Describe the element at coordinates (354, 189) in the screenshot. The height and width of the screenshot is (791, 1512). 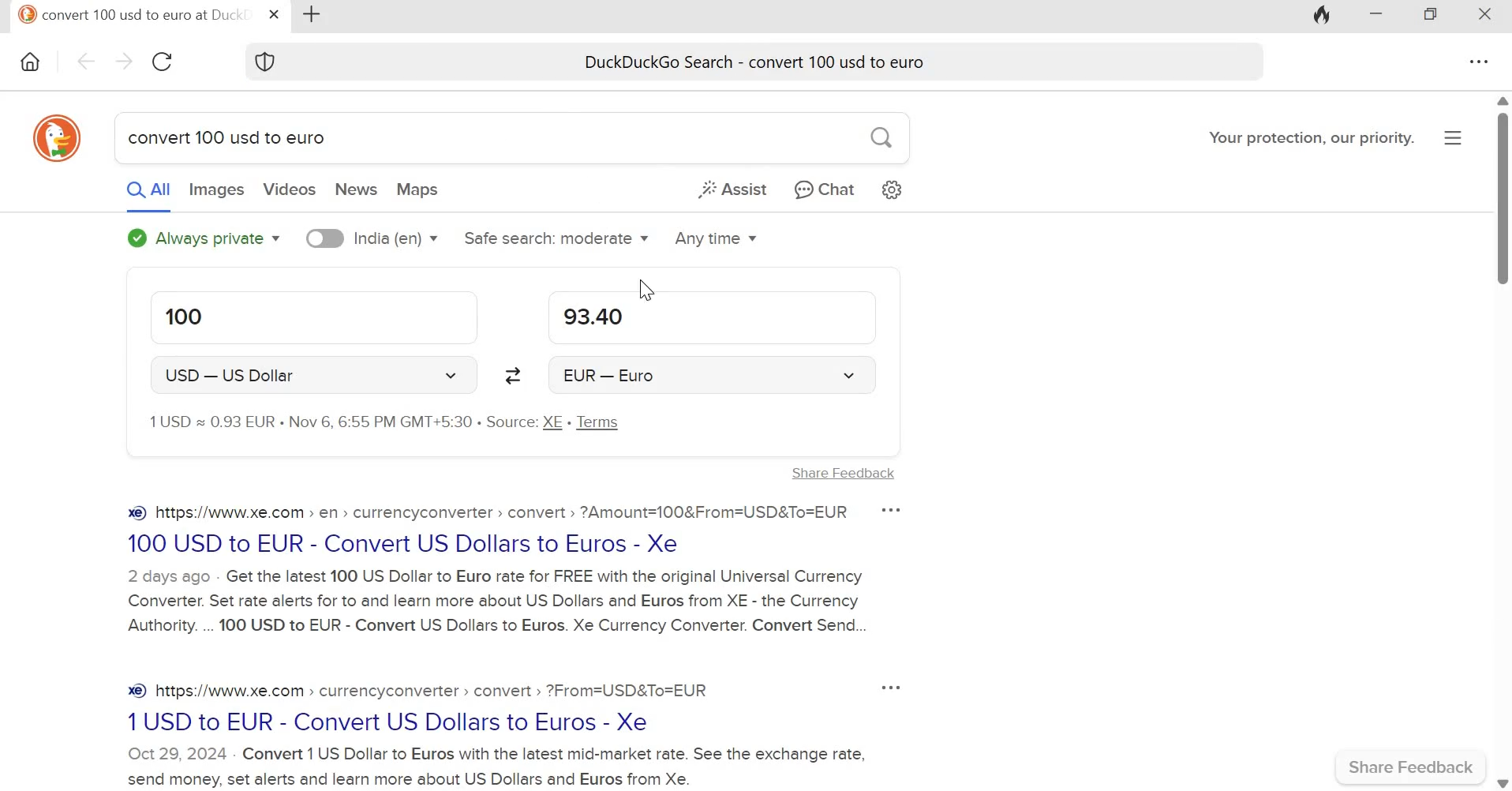
I see `News` at that location.